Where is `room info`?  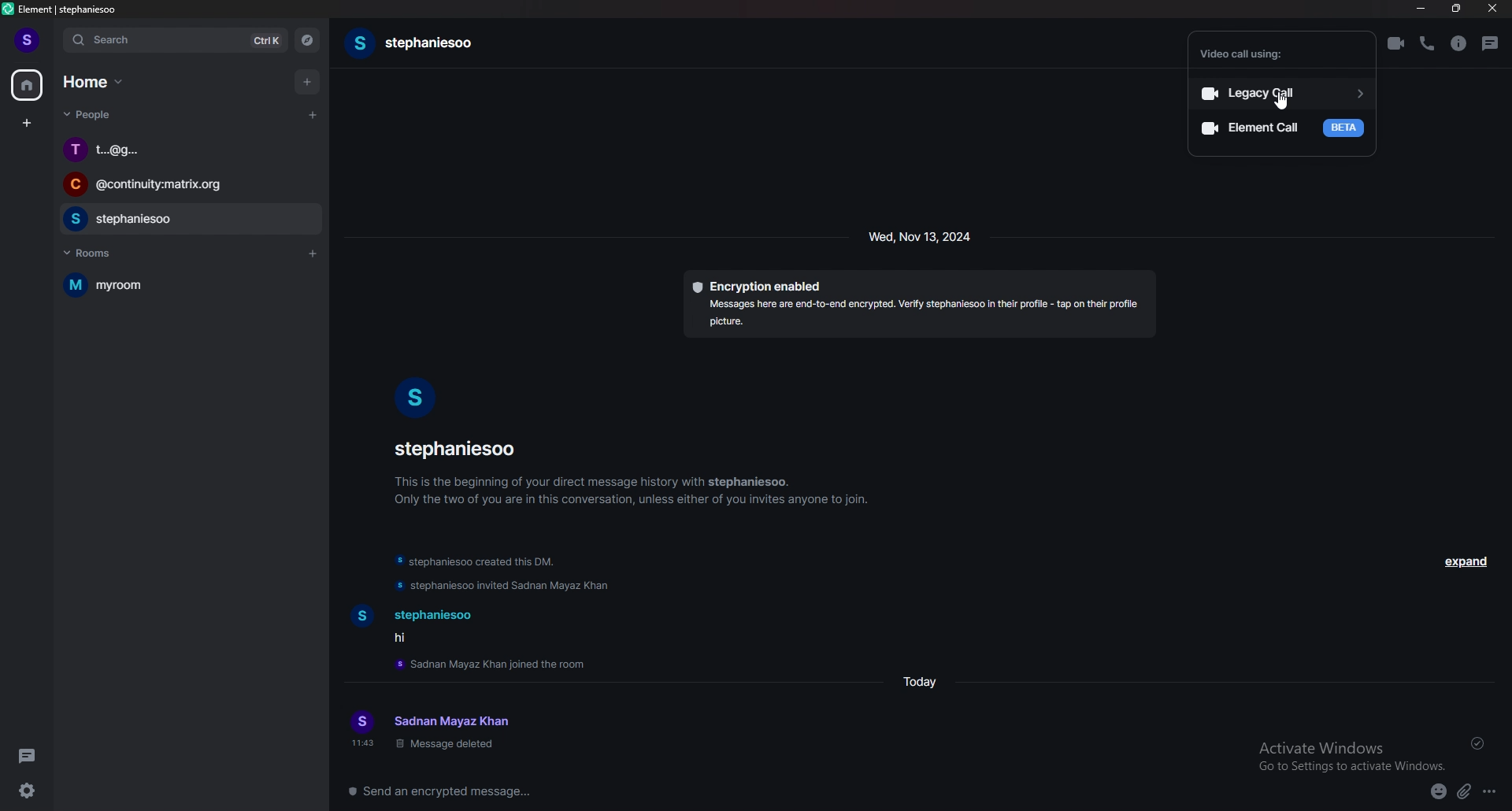 room info is located at coordinates (1458, 43).